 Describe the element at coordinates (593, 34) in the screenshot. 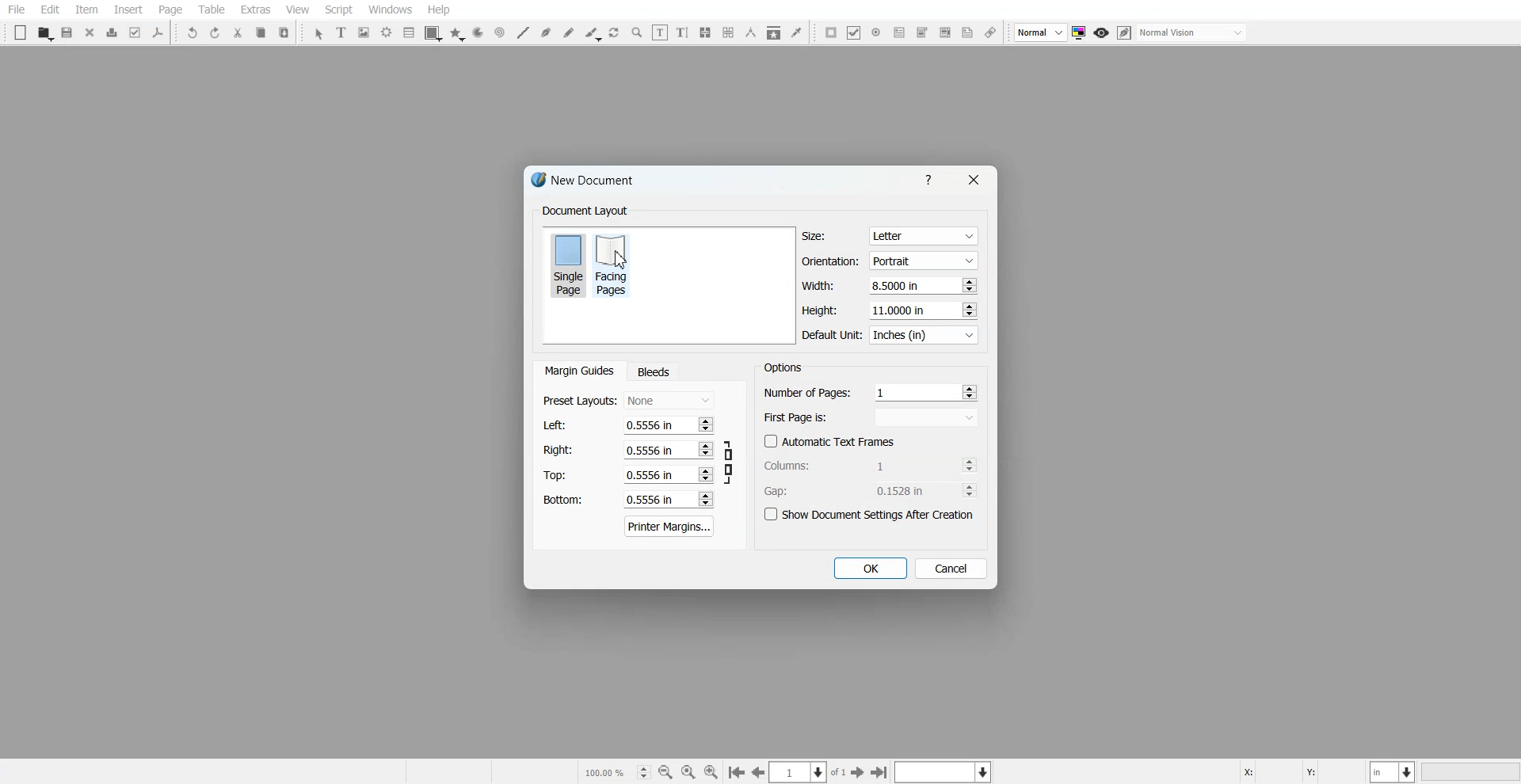

I see `Calligraphic line` at that location.